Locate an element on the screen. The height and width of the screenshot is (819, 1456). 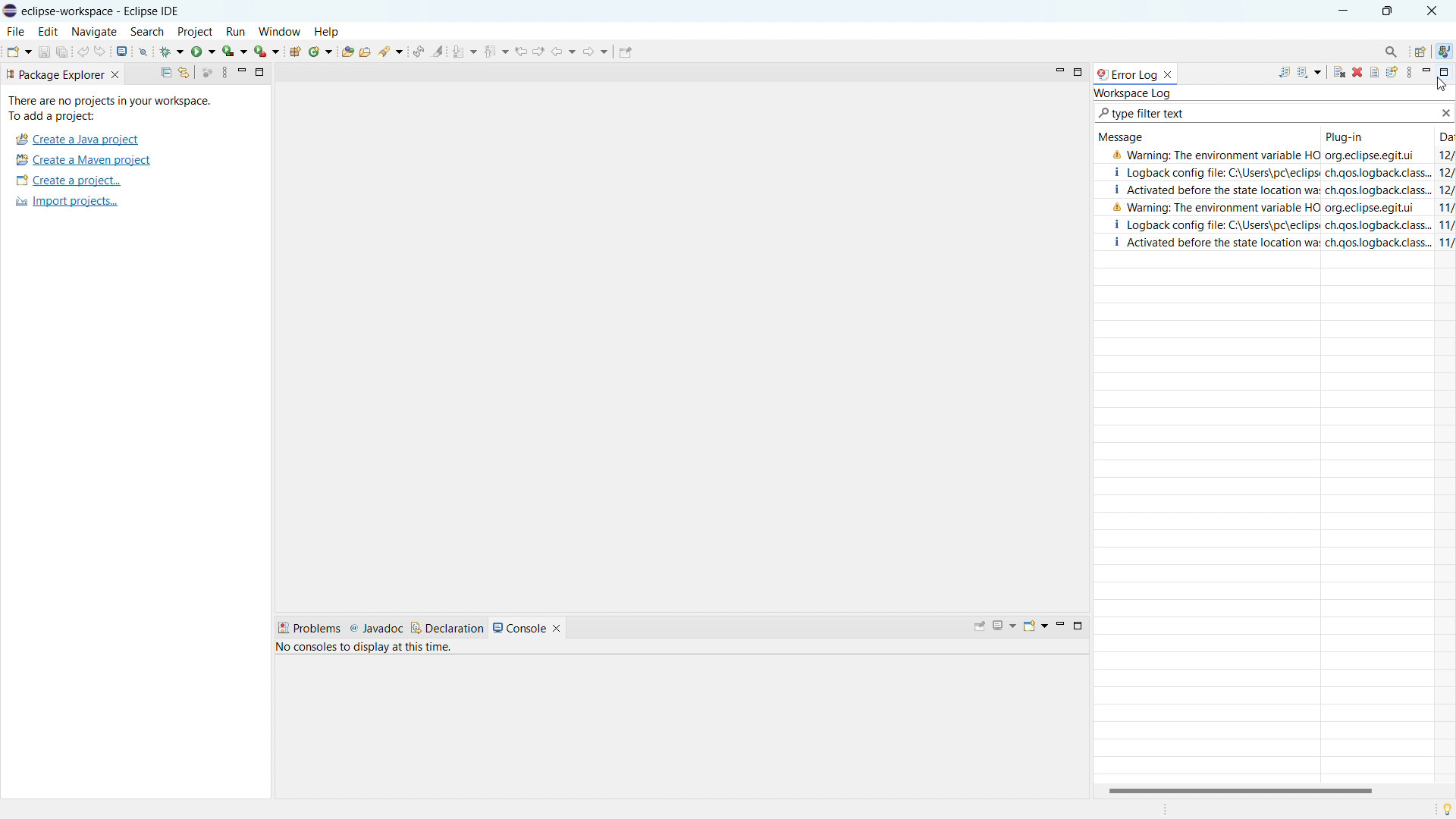
new is located at coordinates (17, 51).